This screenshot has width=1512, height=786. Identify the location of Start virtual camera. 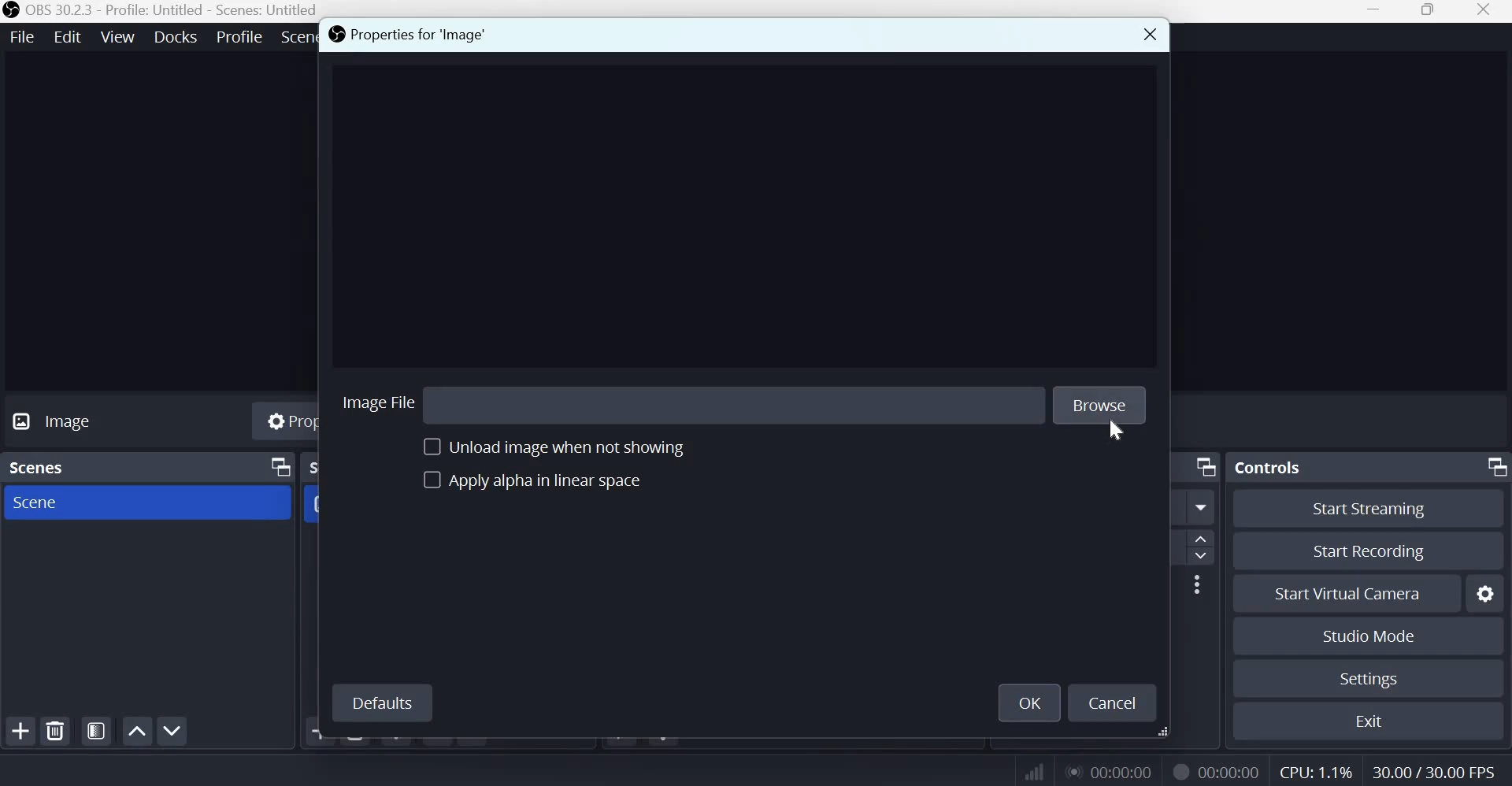
(1359, 591).